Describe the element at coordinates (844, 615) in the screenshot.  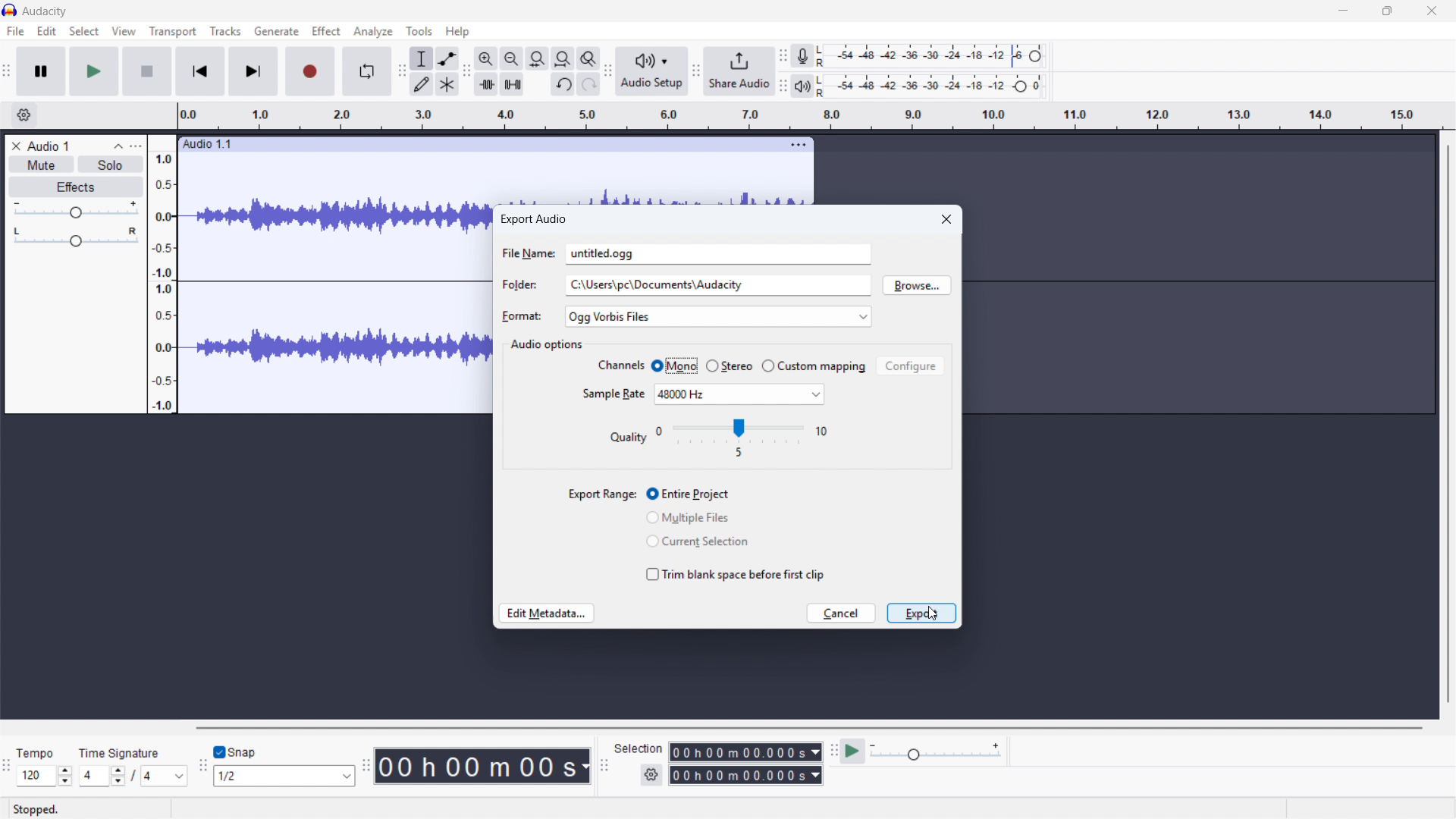
I see `cancel ` at that location.